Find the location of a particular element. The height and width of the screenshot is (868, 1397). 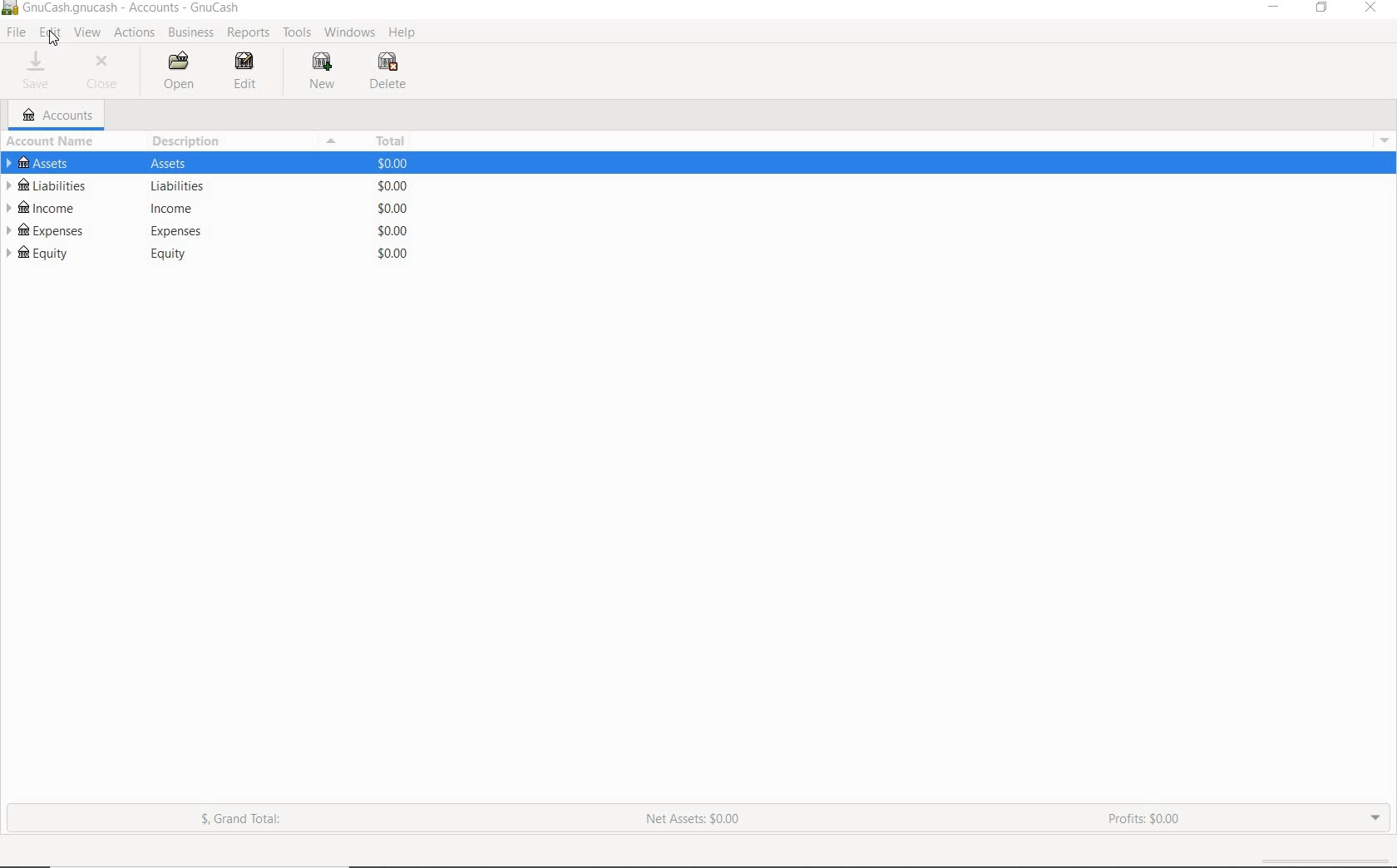

PROFITS is located at coordinates (1145, 821).